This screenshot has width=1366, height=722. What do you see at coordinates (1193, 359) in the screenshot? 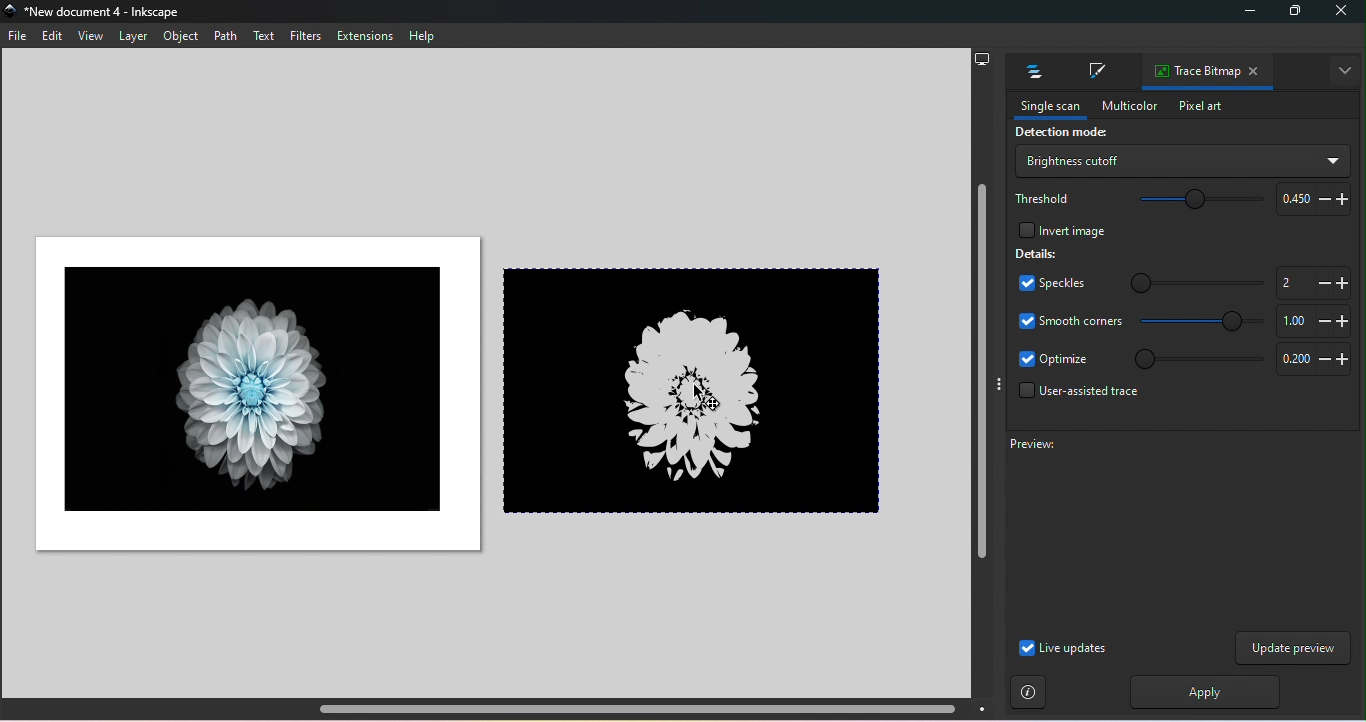
I see `Optimize slide bar` at bounding box center [1193, 359].